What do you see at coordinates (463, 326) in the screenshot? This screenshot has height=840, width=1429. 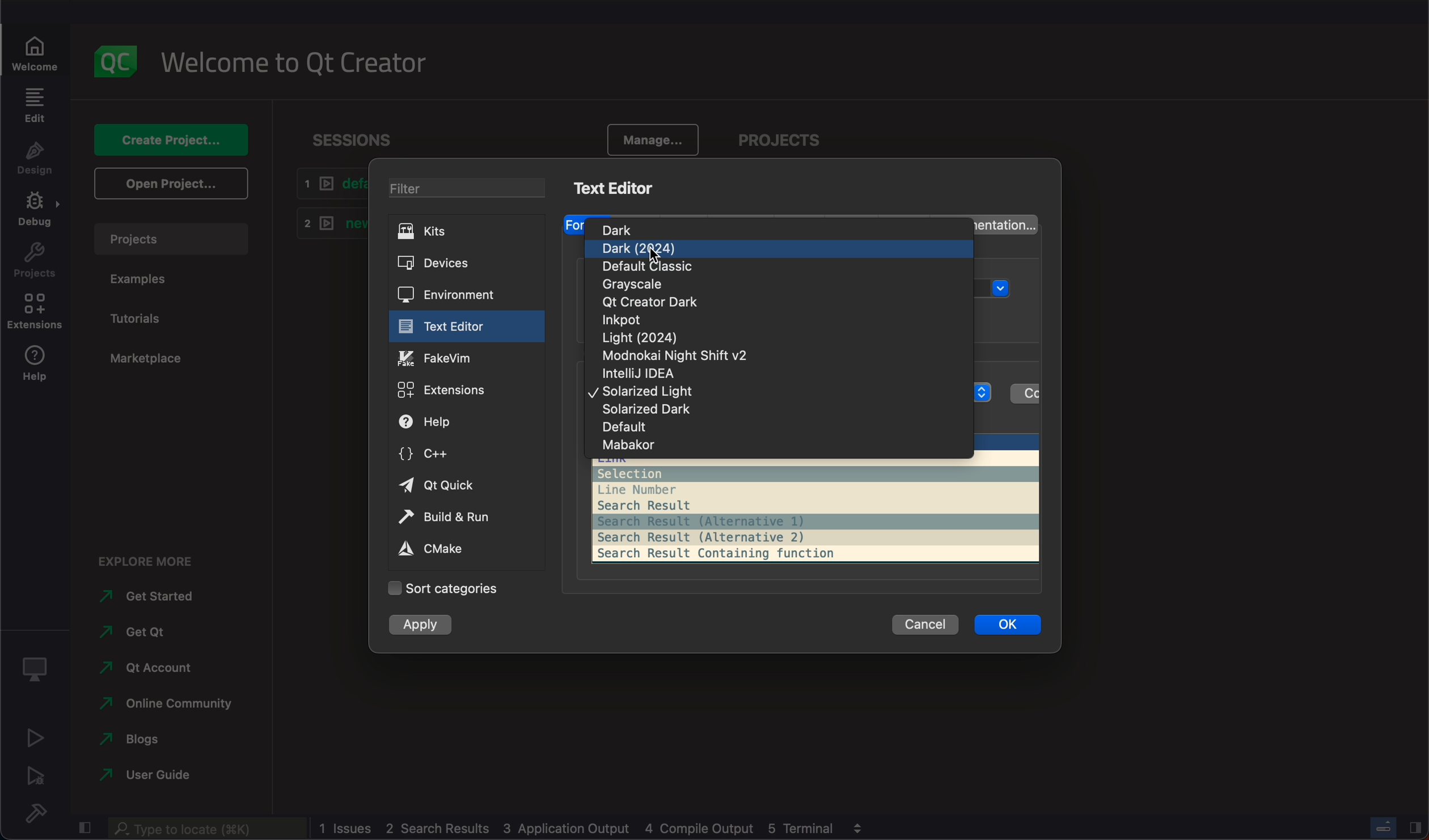 I see `text editor` at bounding box center [463, 326].